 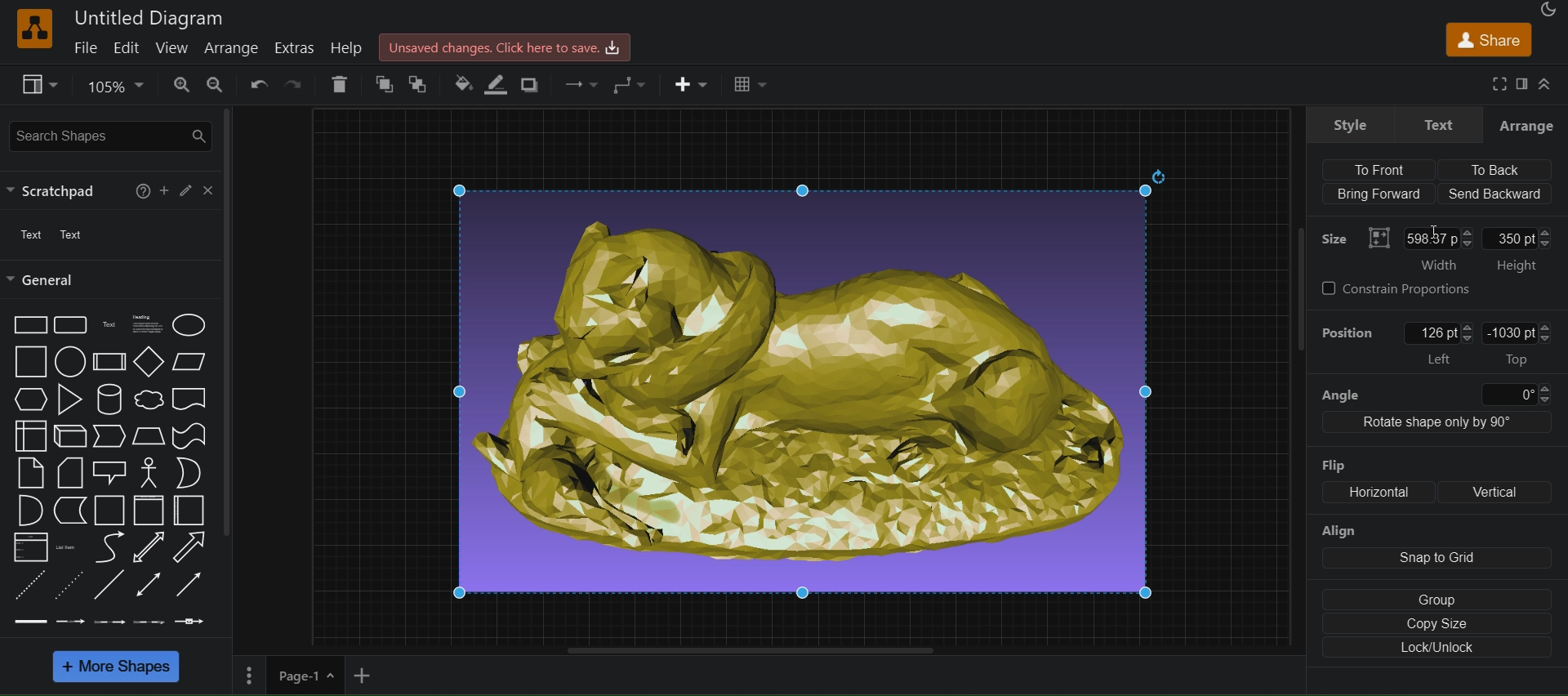 I want to click on scrollbar, so click(x=1296, y=289).